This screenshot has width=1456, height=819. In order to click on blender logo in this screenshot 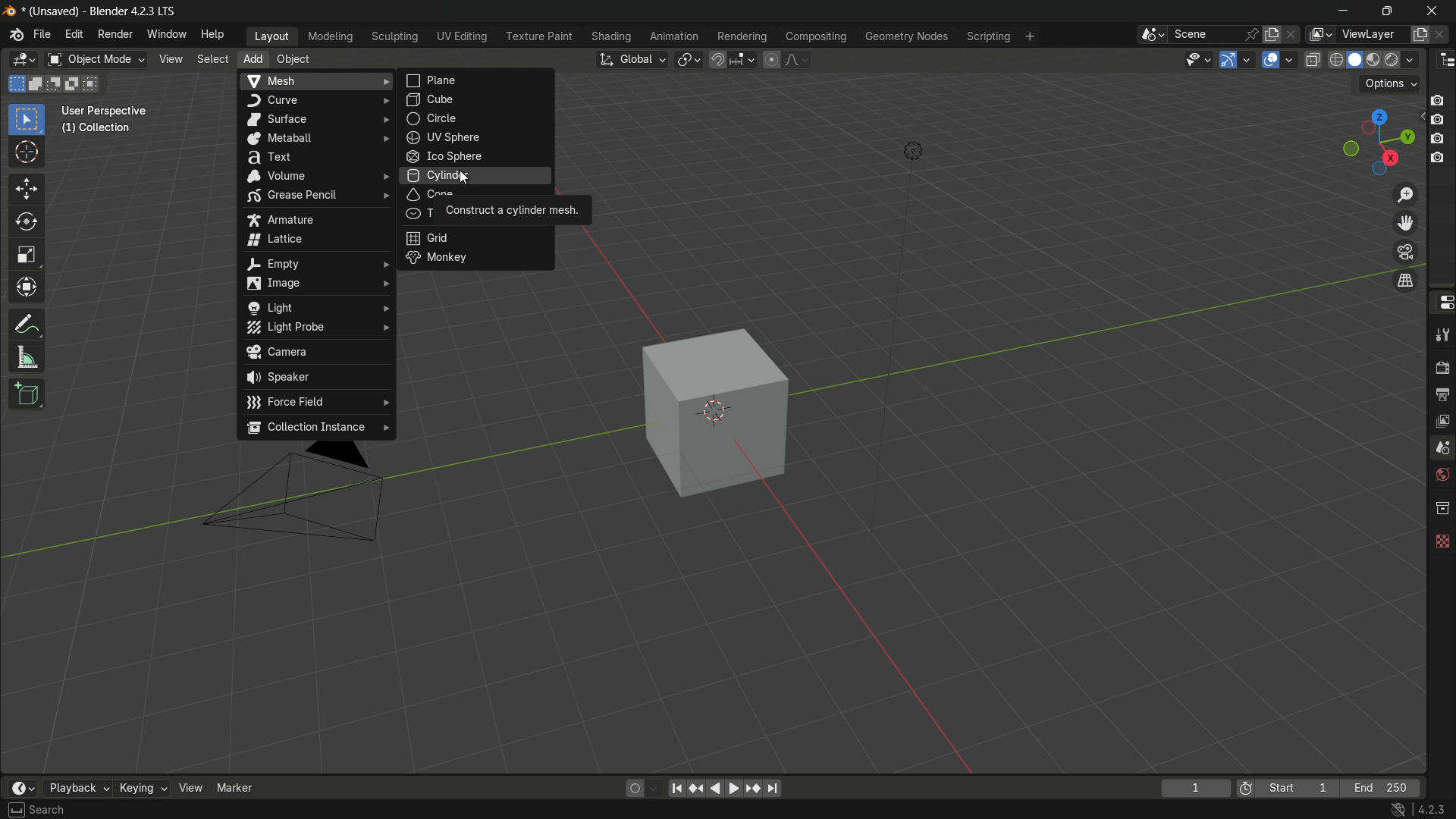, I will do `click(14, 36)`.